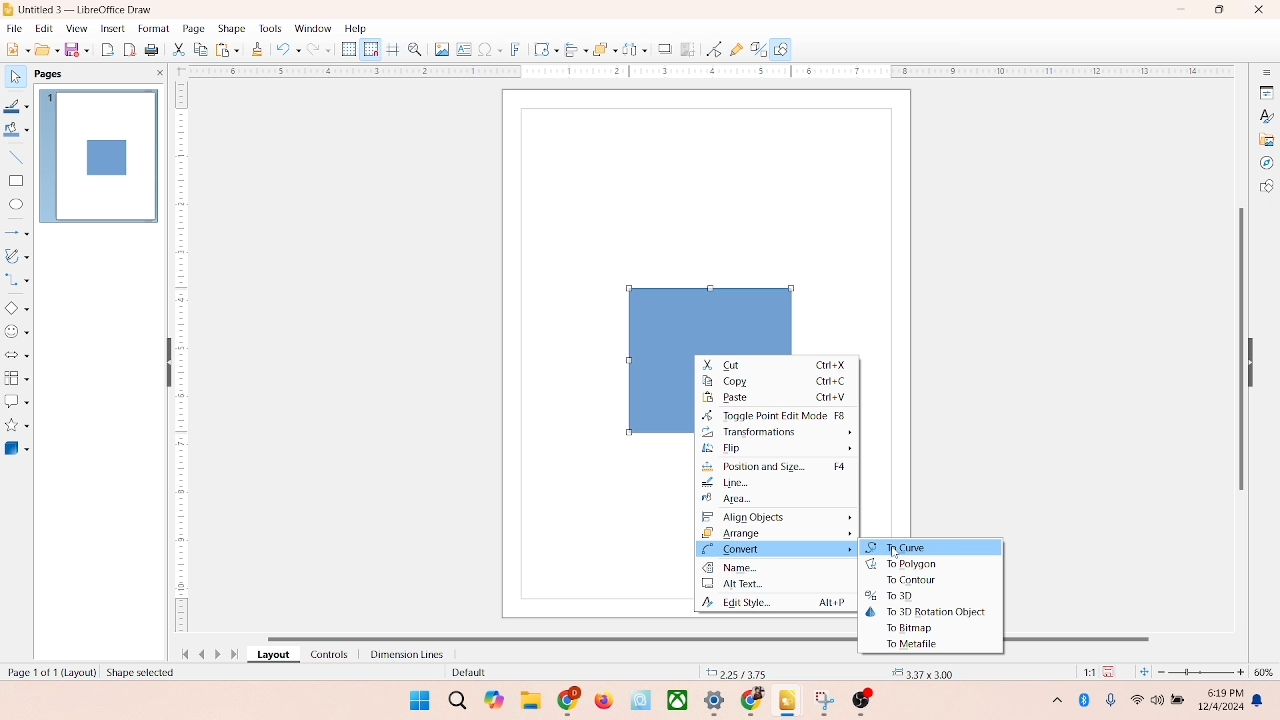  I want to click on copy, so click(778, 382).